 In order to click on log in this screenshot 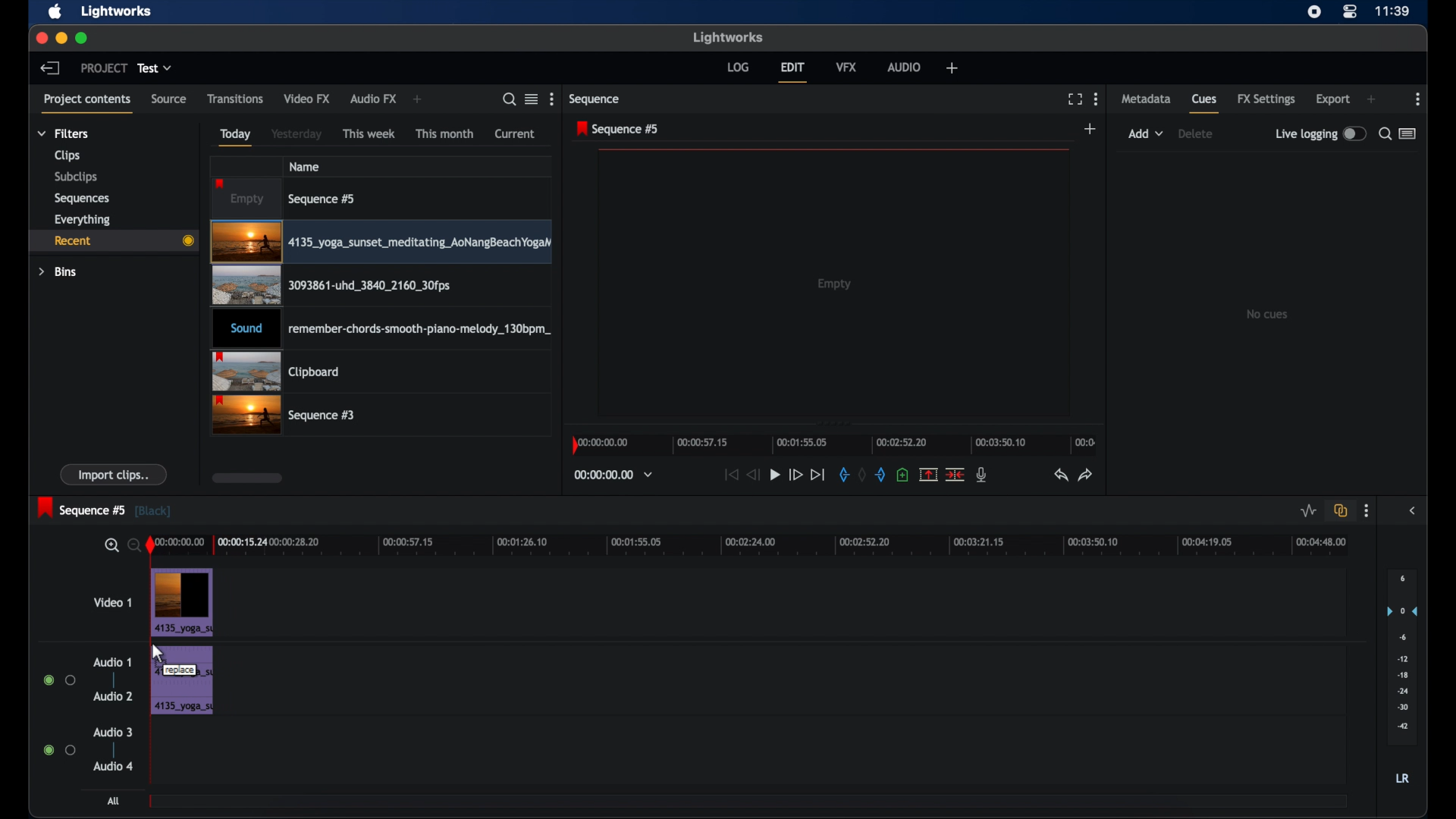, I will do `click(739, 67)`.